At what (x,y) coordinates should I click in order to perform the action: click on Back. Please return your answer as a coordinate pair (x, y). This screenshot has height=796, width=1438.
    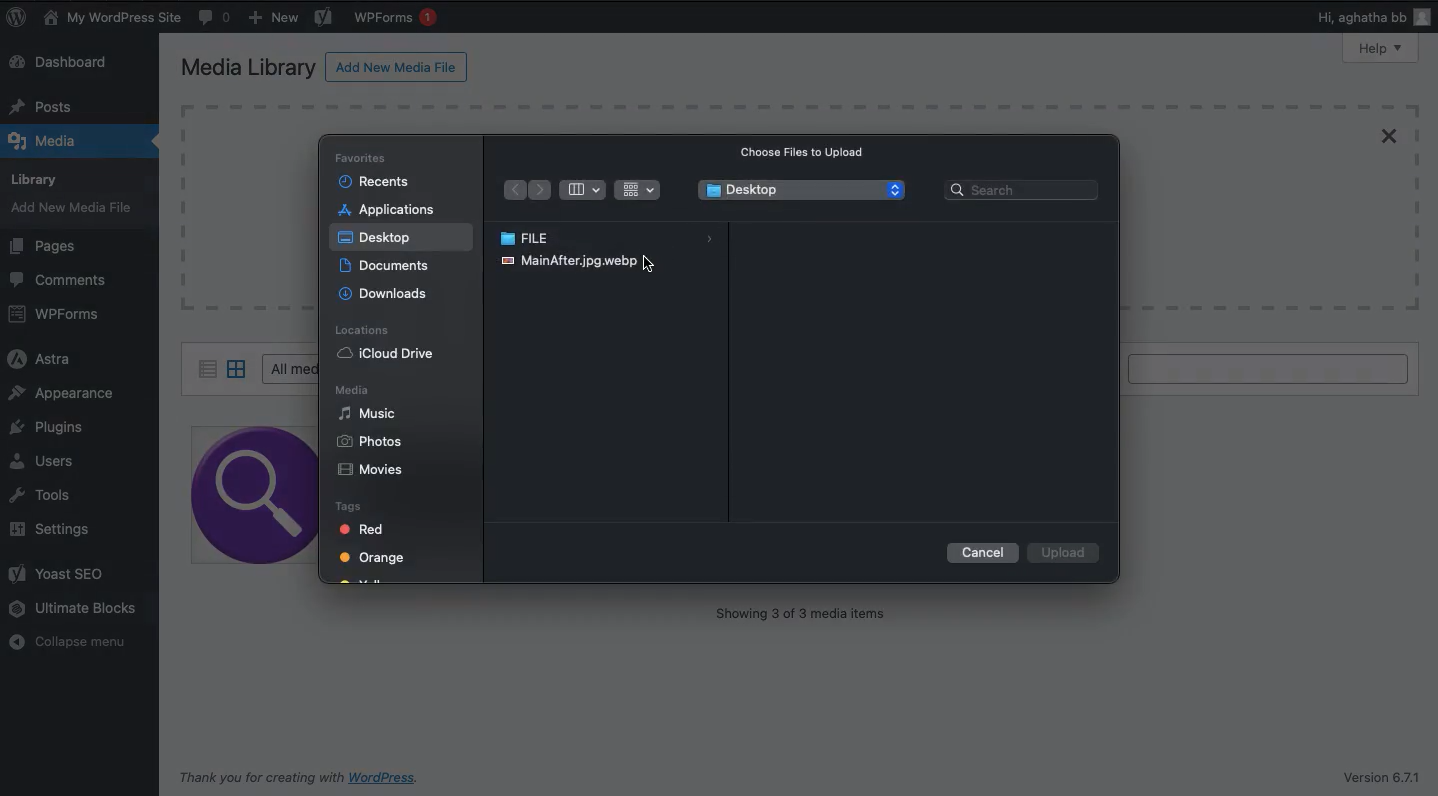
    Looking at the image, I should click on (516, 191).